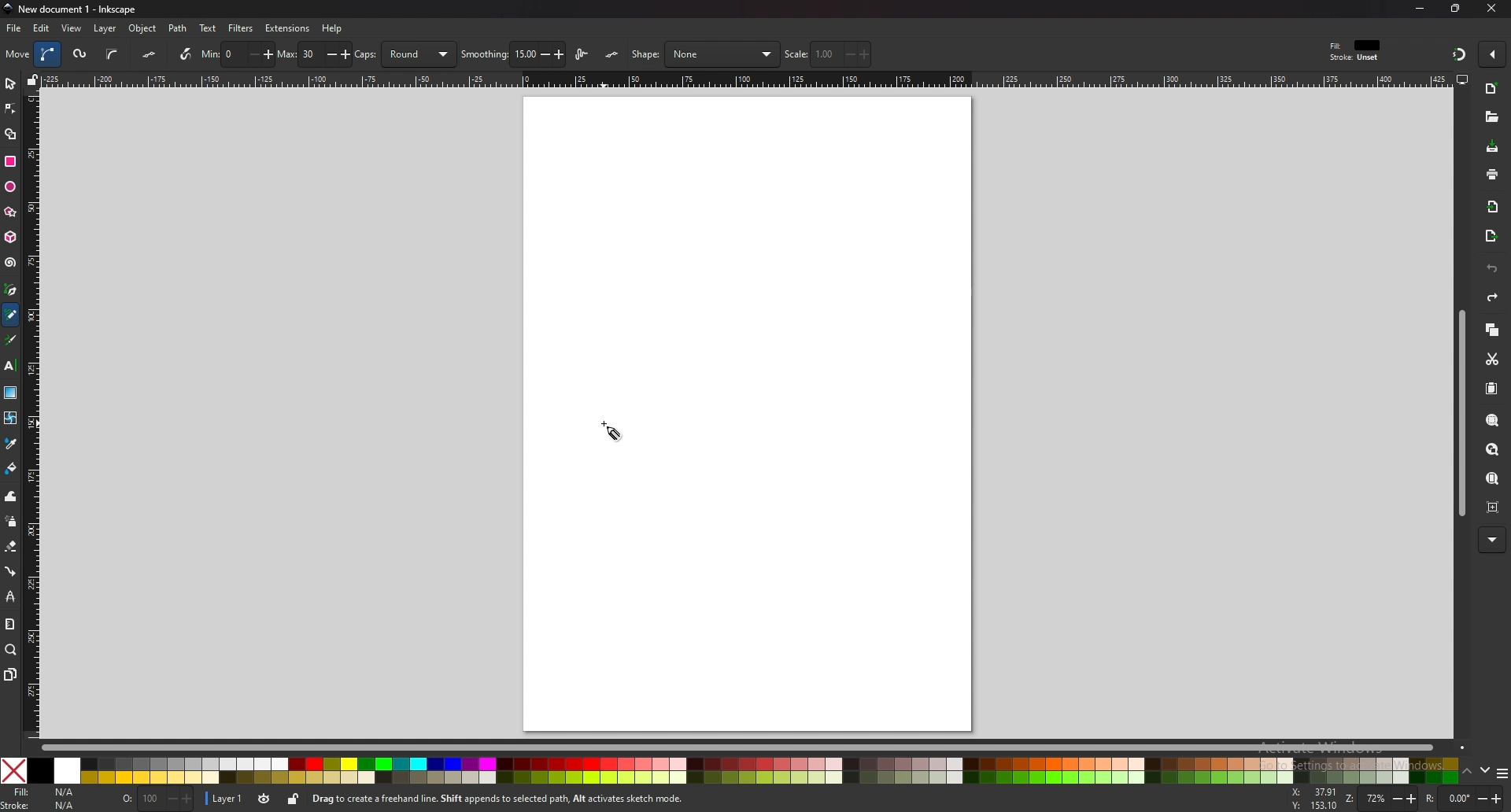 This screenshot has width=1511, height=812. What do you see at coordinates (1457, 55) in the screenshot?
I see `snapping` at bounding box center [1457, 55].